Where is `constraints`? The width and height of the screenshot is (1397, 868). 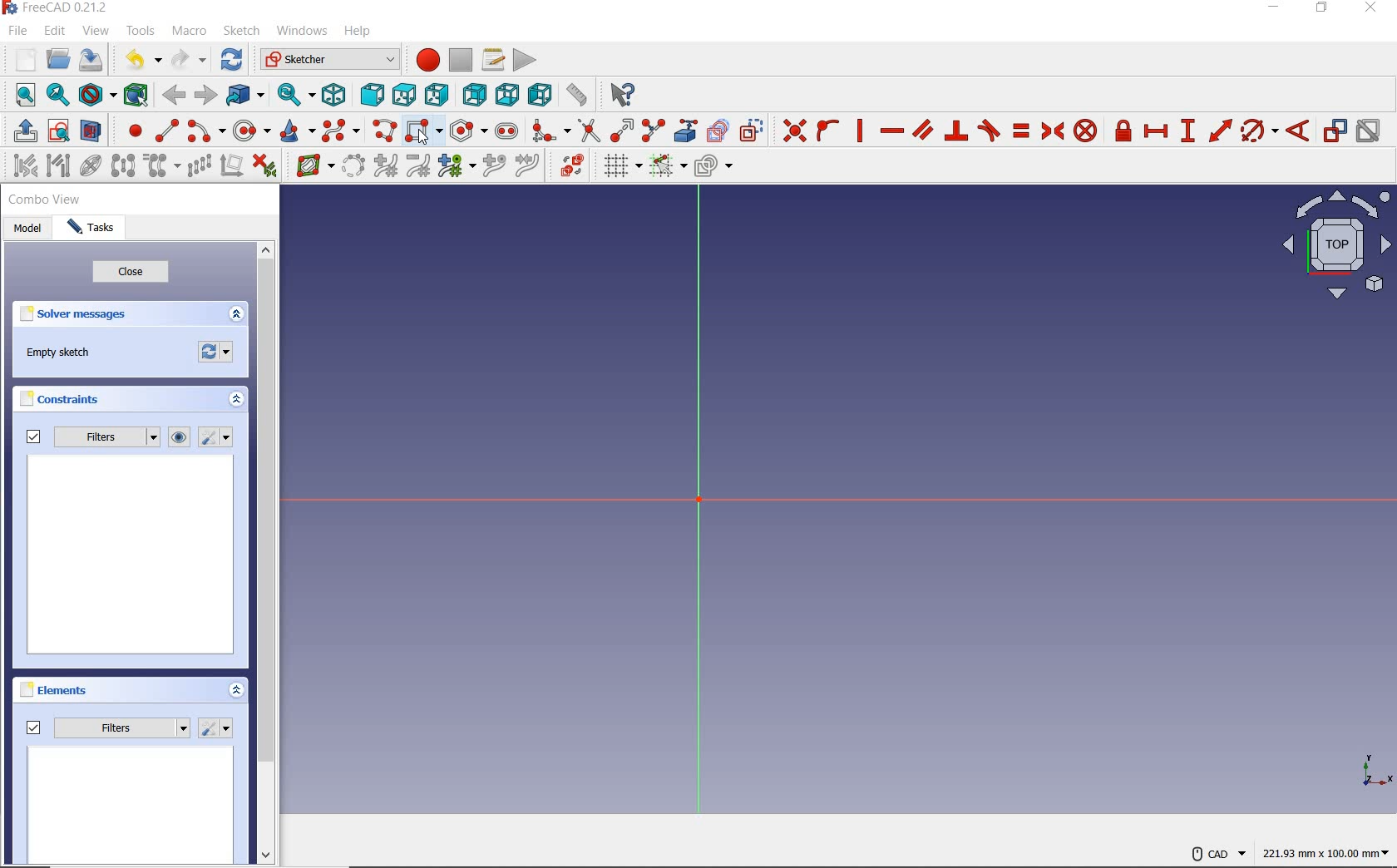 constraints is located at coordinates (64, 399).